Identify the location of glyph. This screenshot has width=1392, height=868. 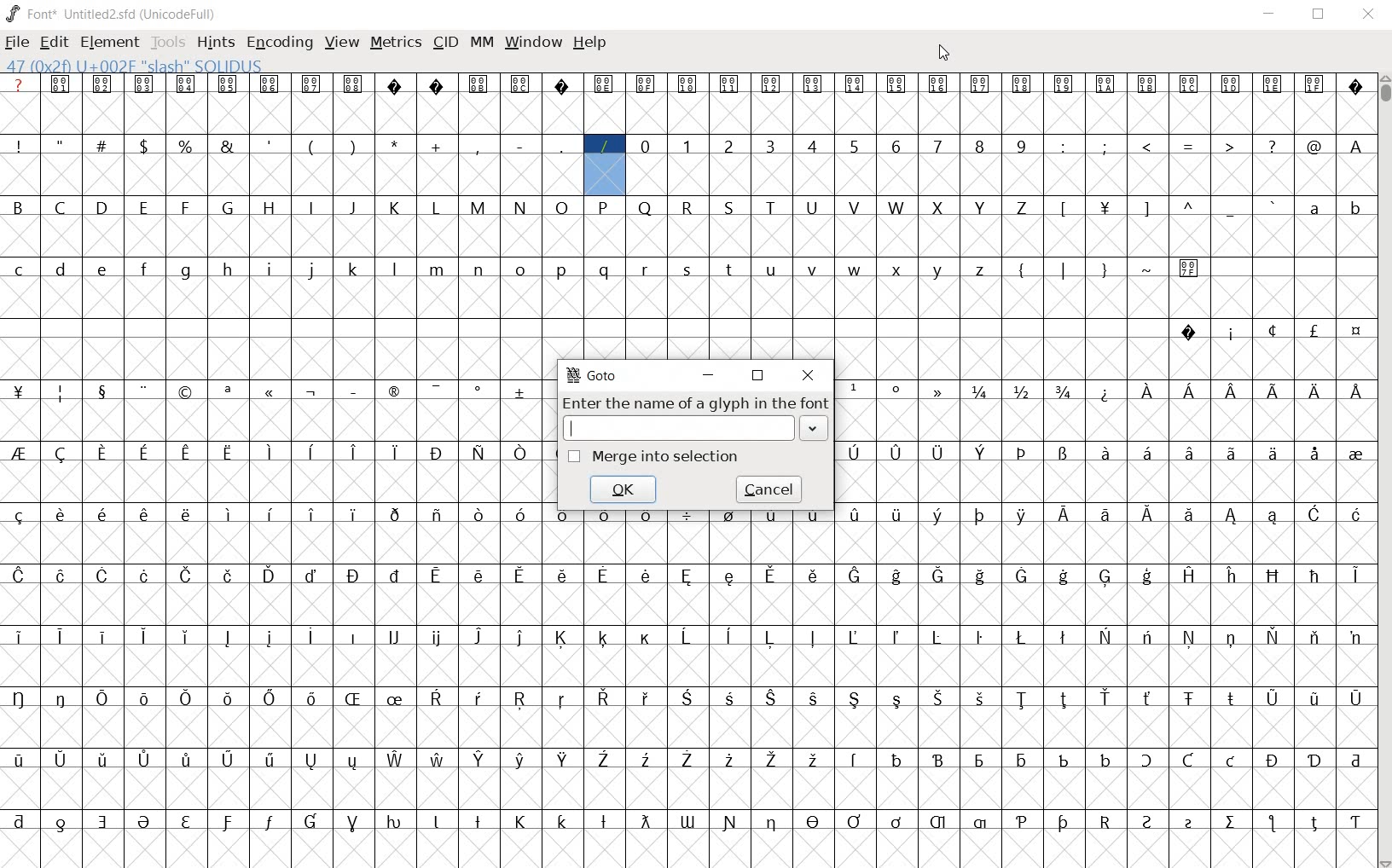
(729, 208).